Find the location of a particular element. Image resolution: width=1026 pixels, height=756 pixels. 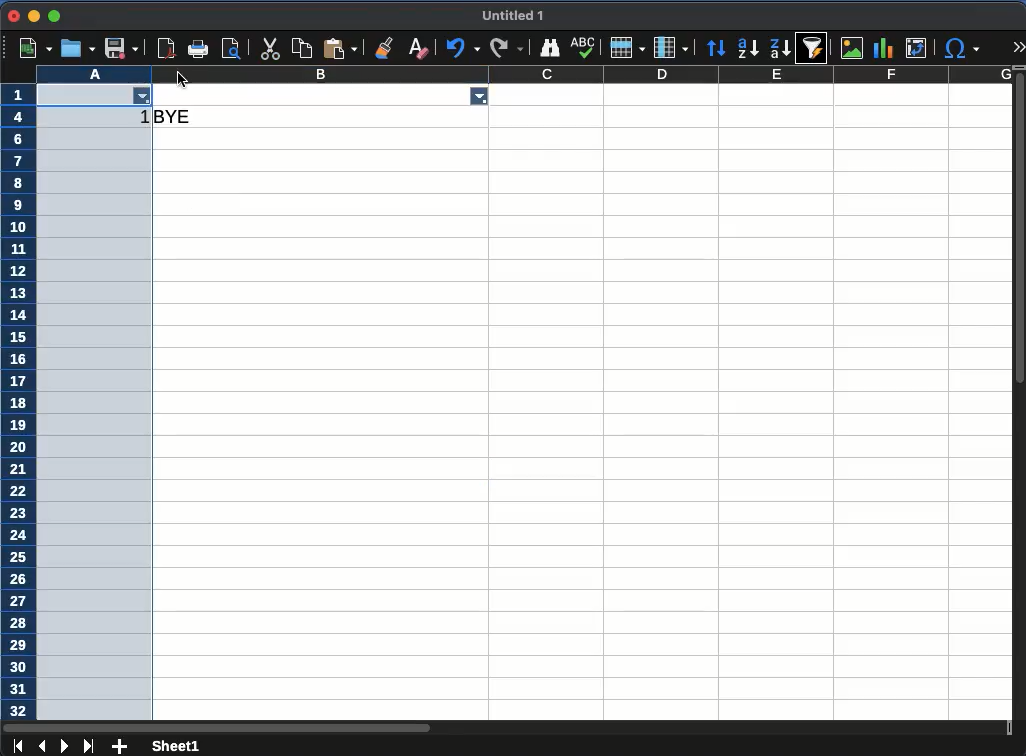

close is located at coordinates (13, 16).